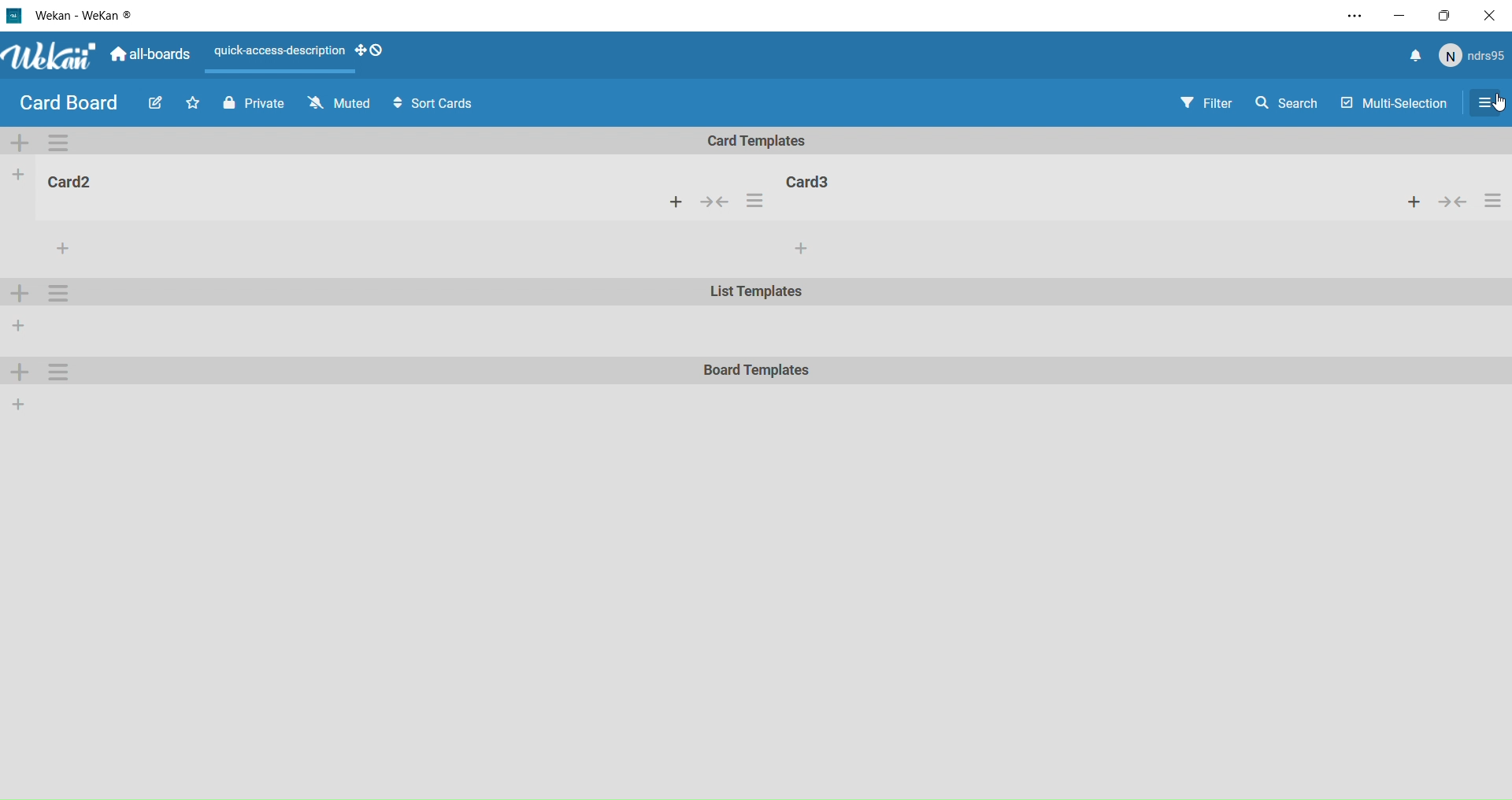  What do you see at coordinates (1453, 202) in the screenshot?
I see `Actions` at bounding box center [1453, 202].